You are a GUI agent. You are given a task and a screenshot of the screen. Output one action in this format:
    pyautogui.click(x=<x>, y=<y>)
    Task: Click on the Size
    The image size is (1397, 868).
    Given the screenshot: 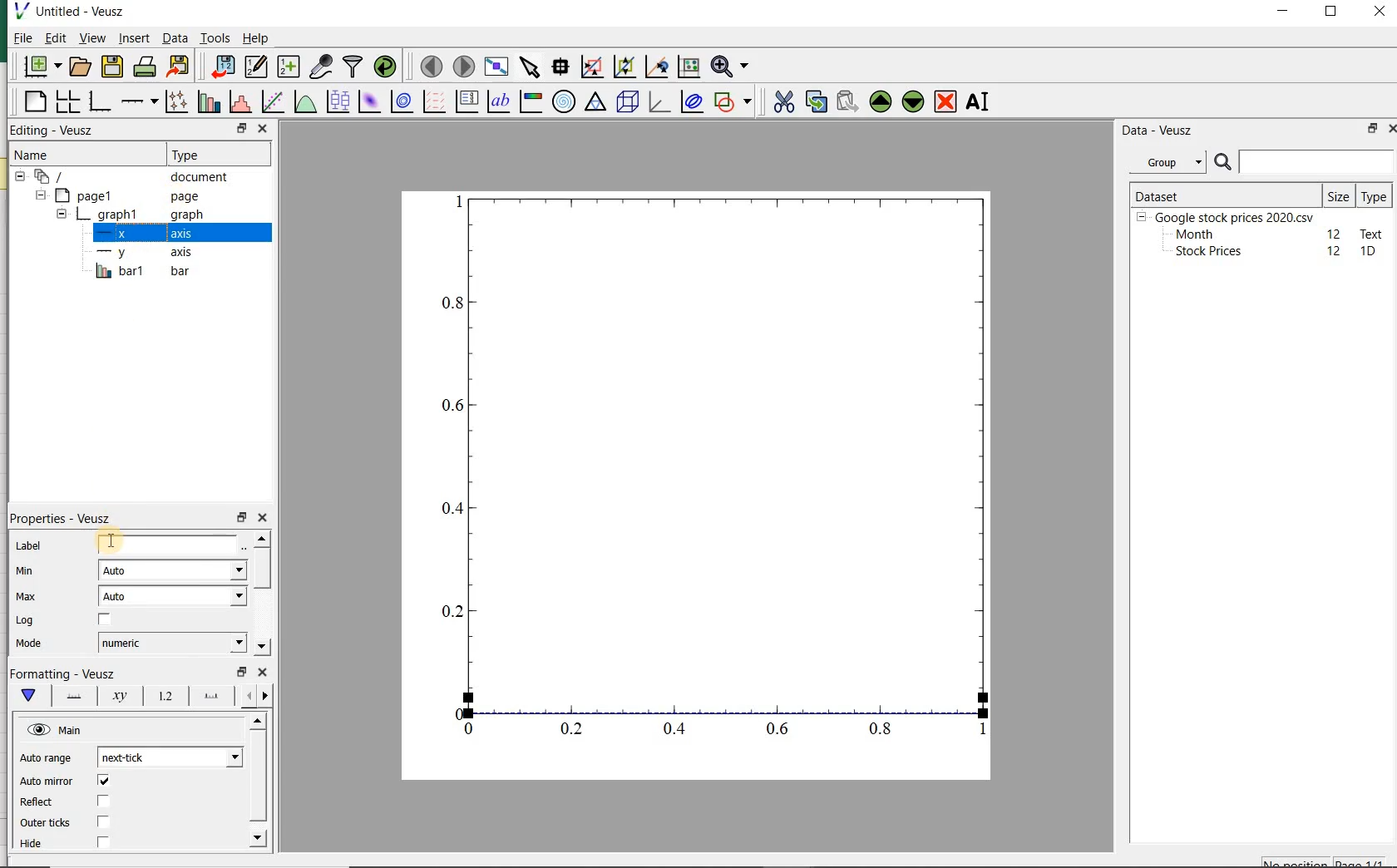 What is the action you would take?
    pyautogui.click(x=1339, y=195)
    